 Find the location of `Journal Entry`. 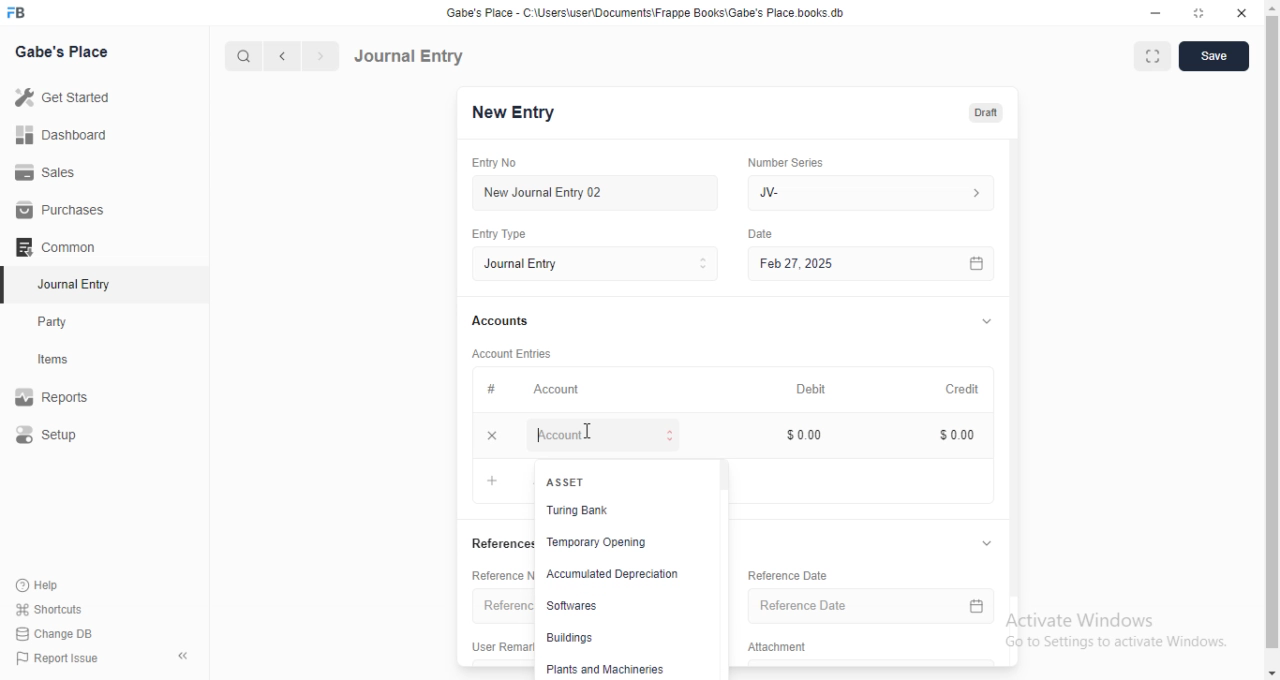

Journal Entry is located at coordinates (70, 284).